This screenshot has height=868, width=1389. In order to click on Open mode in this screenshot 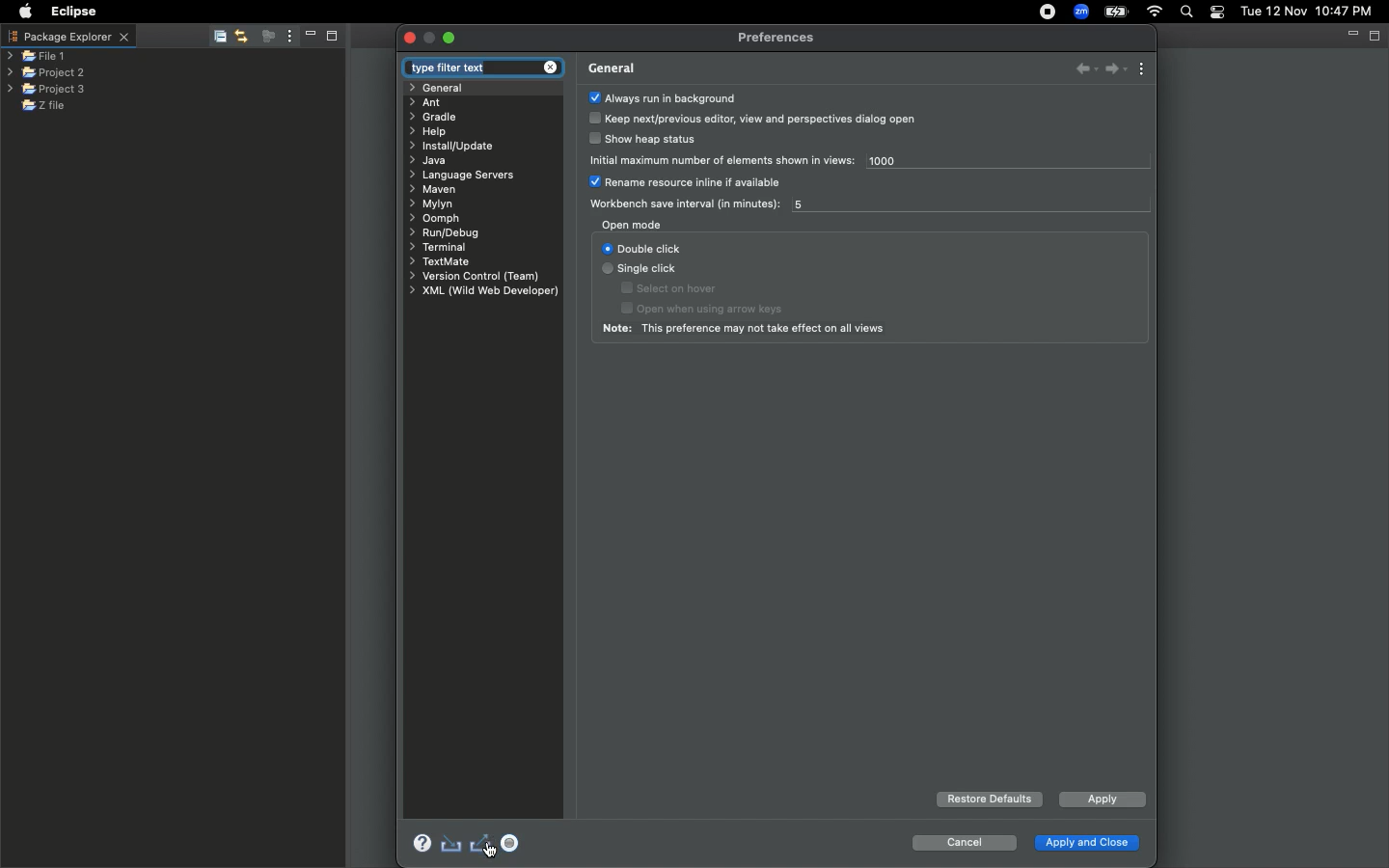, I will do `click(632, 225)`.